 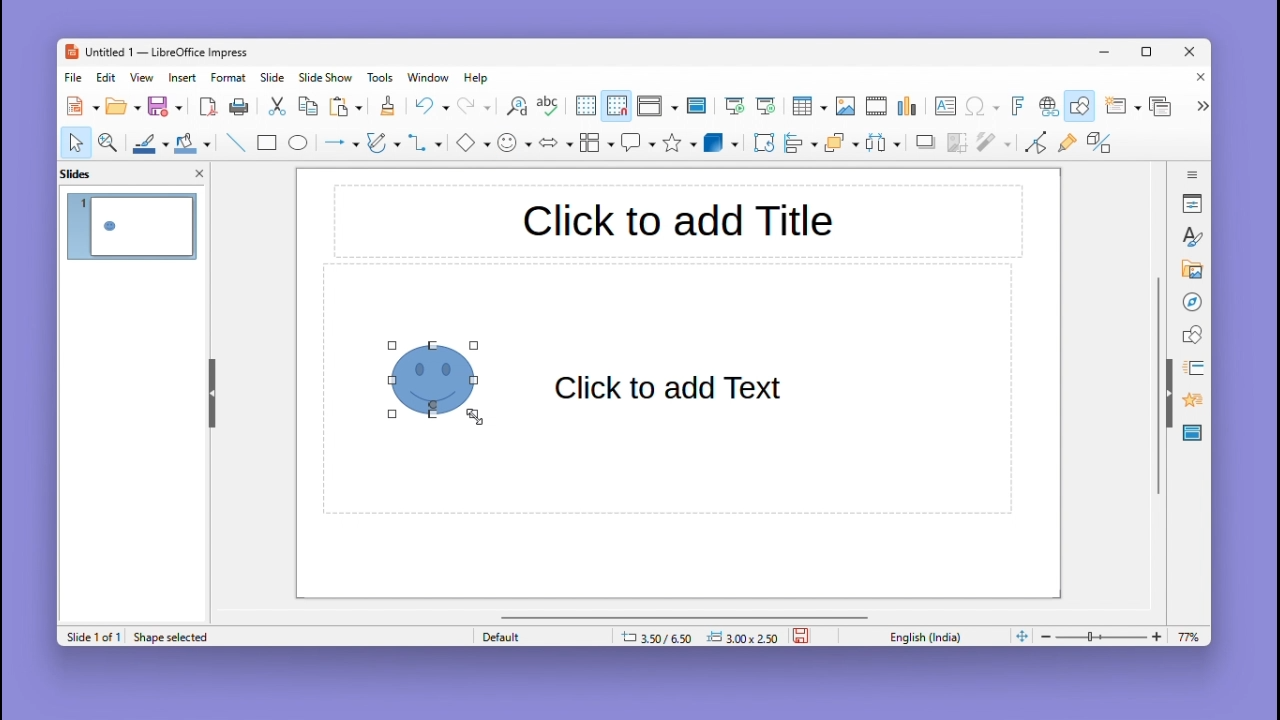 What do you see at coordinates (166, 106) in the screenshot?
I see `Save` at bounding box center [166, 106].